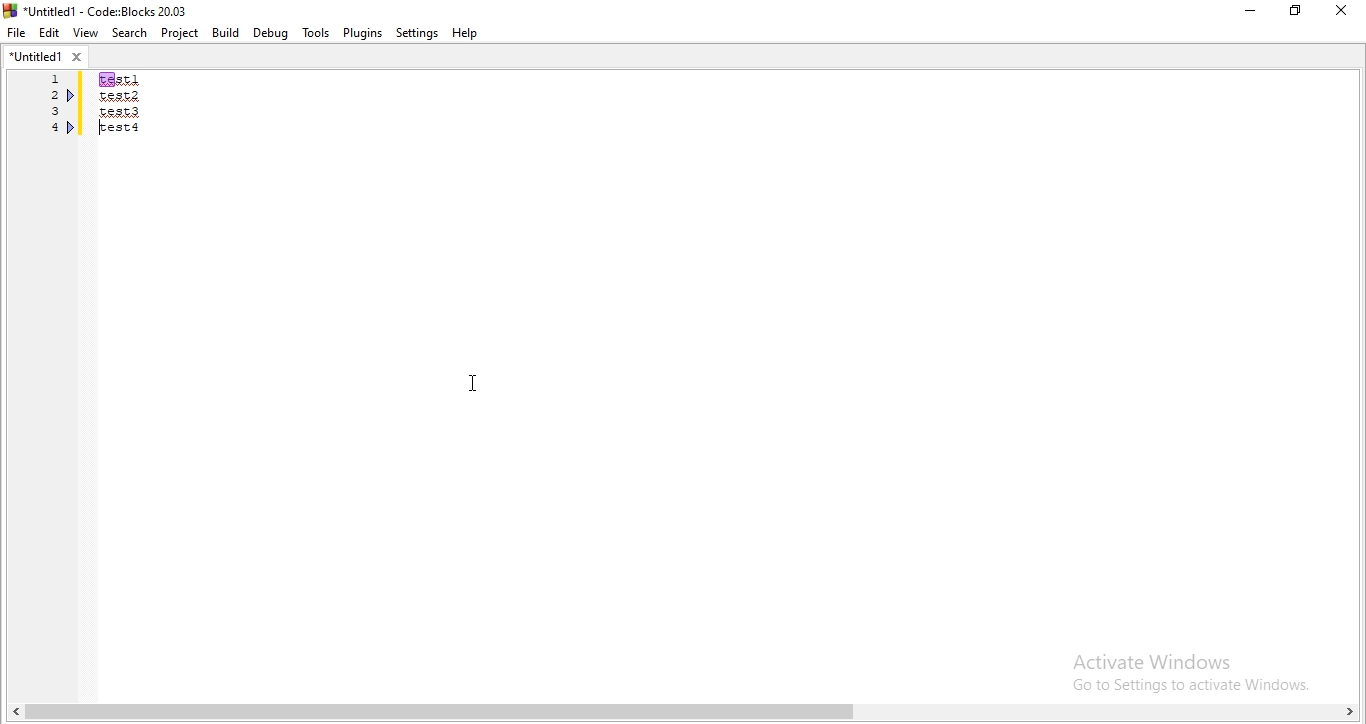 The height and width of the screenshot is (724, 1366). I want to click on cursor, so click(476, 383).